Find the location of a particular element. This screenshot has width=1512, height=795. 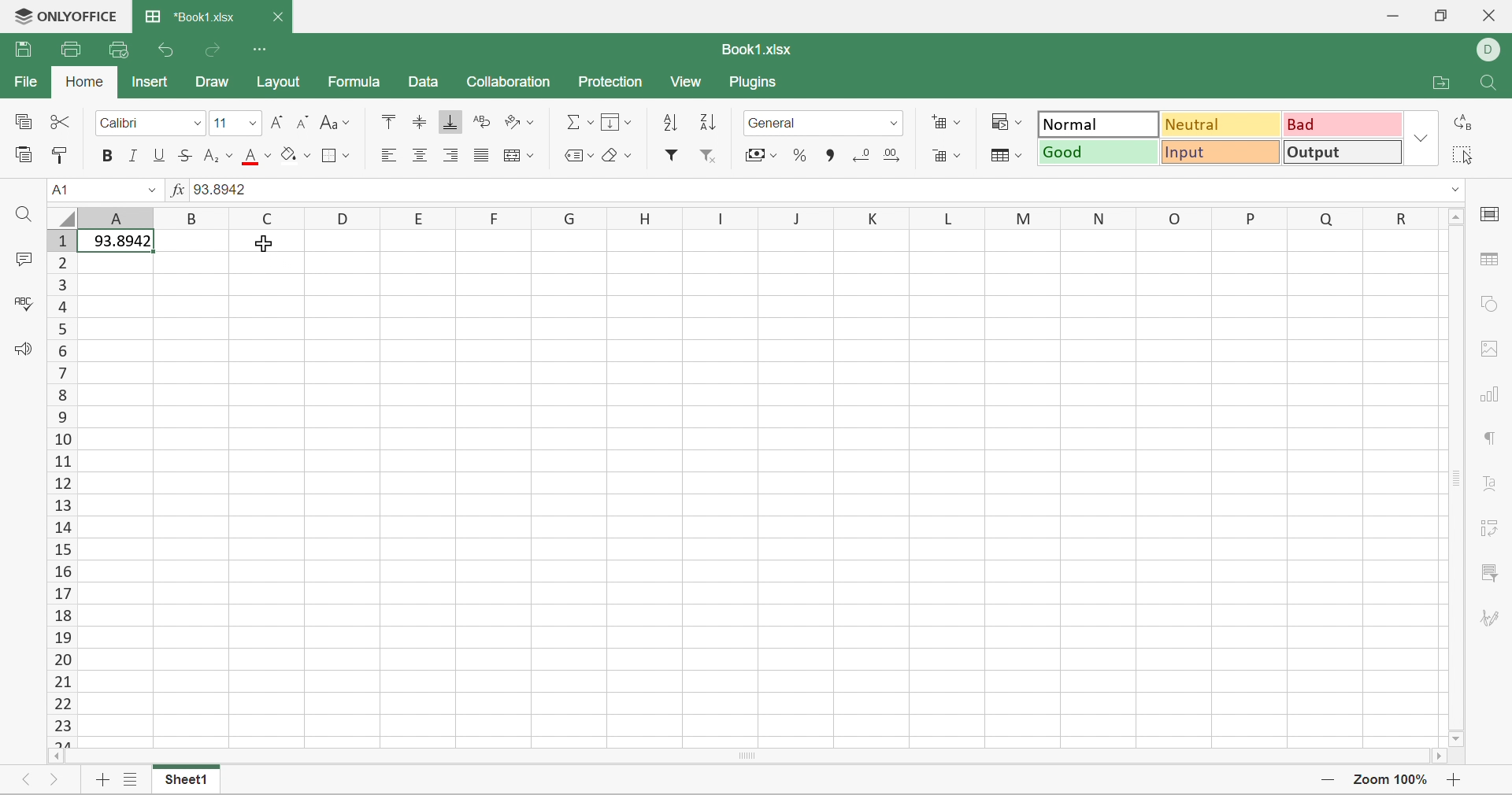

Clear is located at coordinates (617, 156).